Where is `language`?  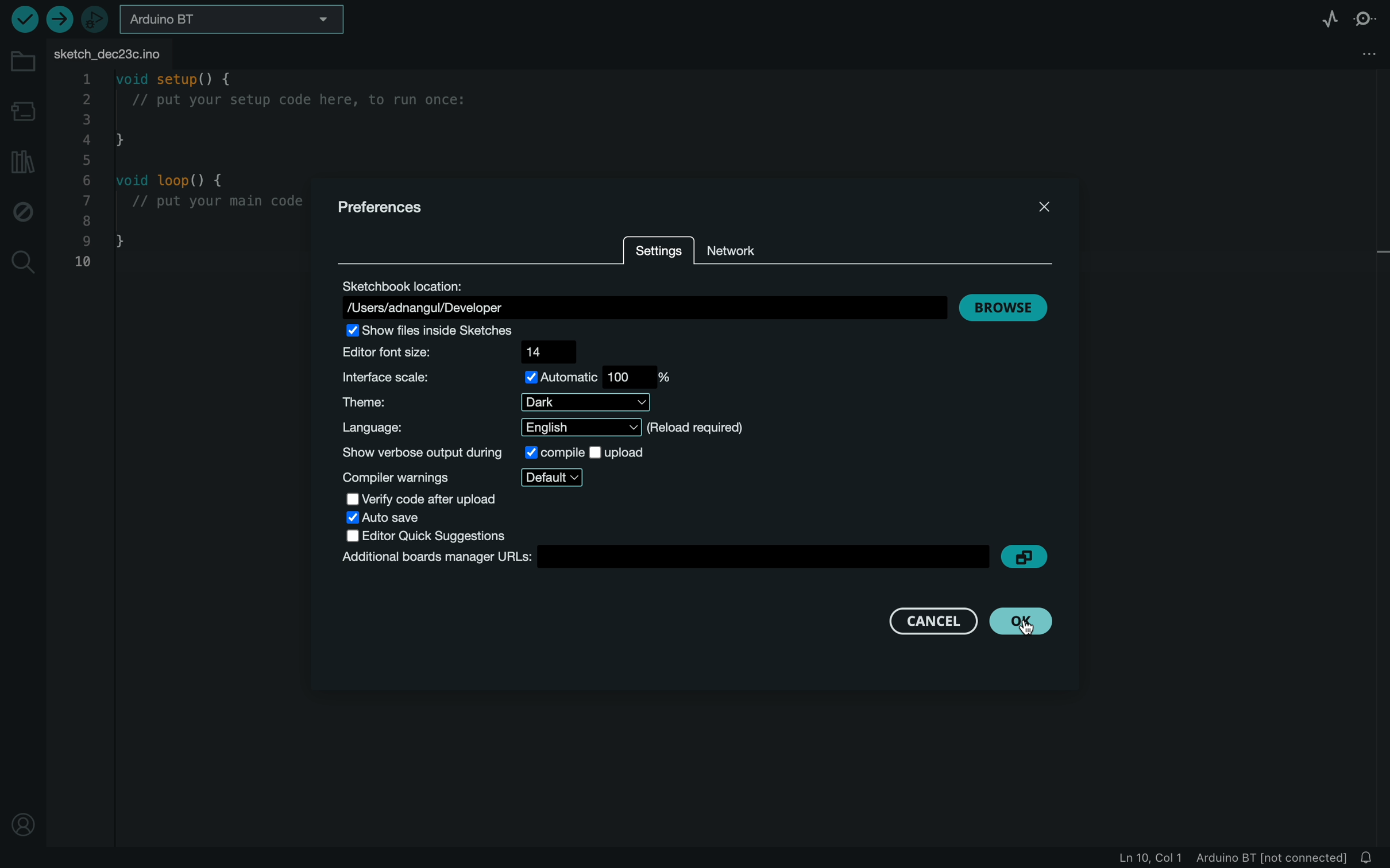
language is located at coordinates (539, 427).